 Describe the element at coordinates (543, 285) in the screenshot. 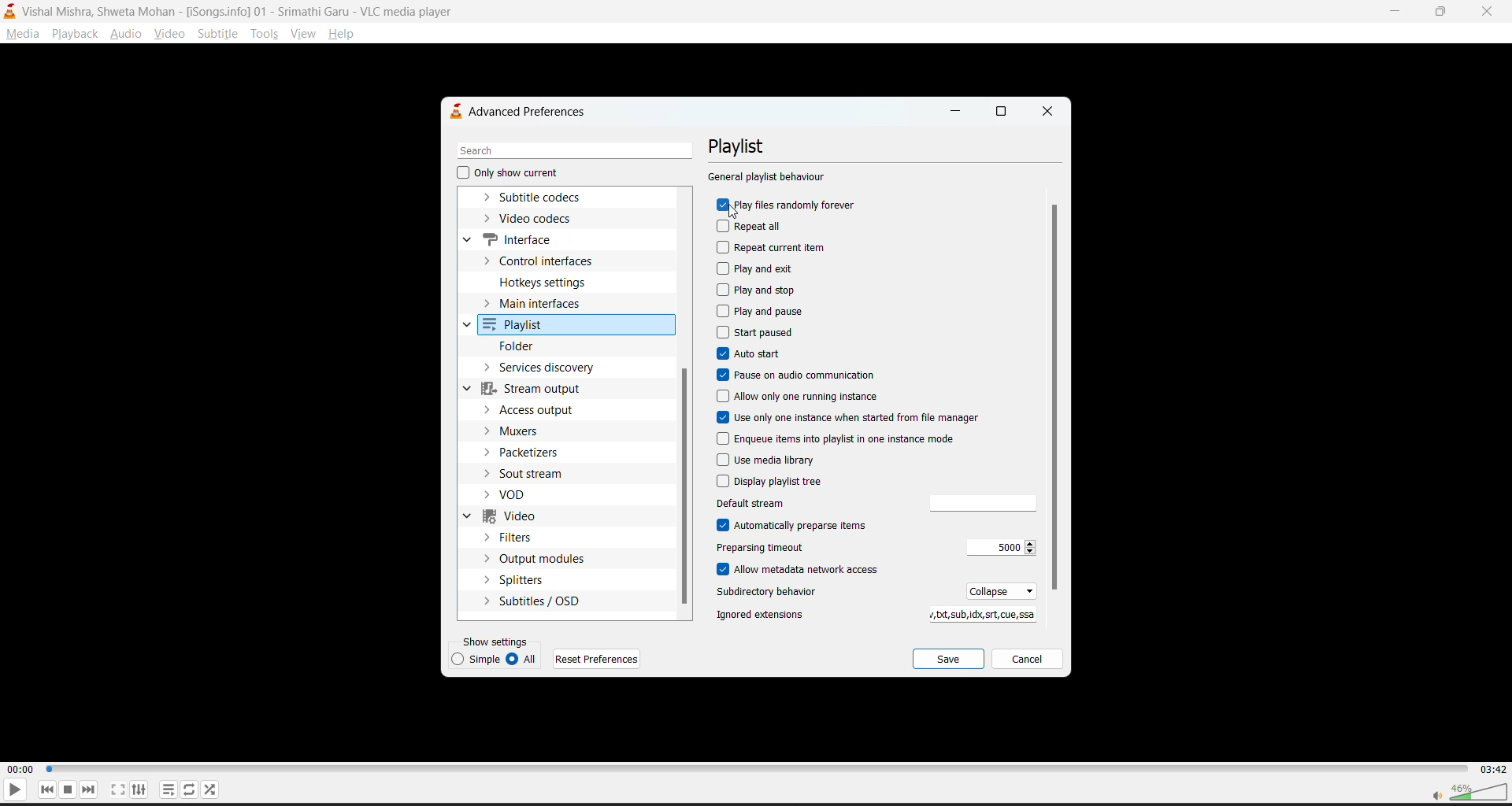

I see `hotkeys settings` at that location.